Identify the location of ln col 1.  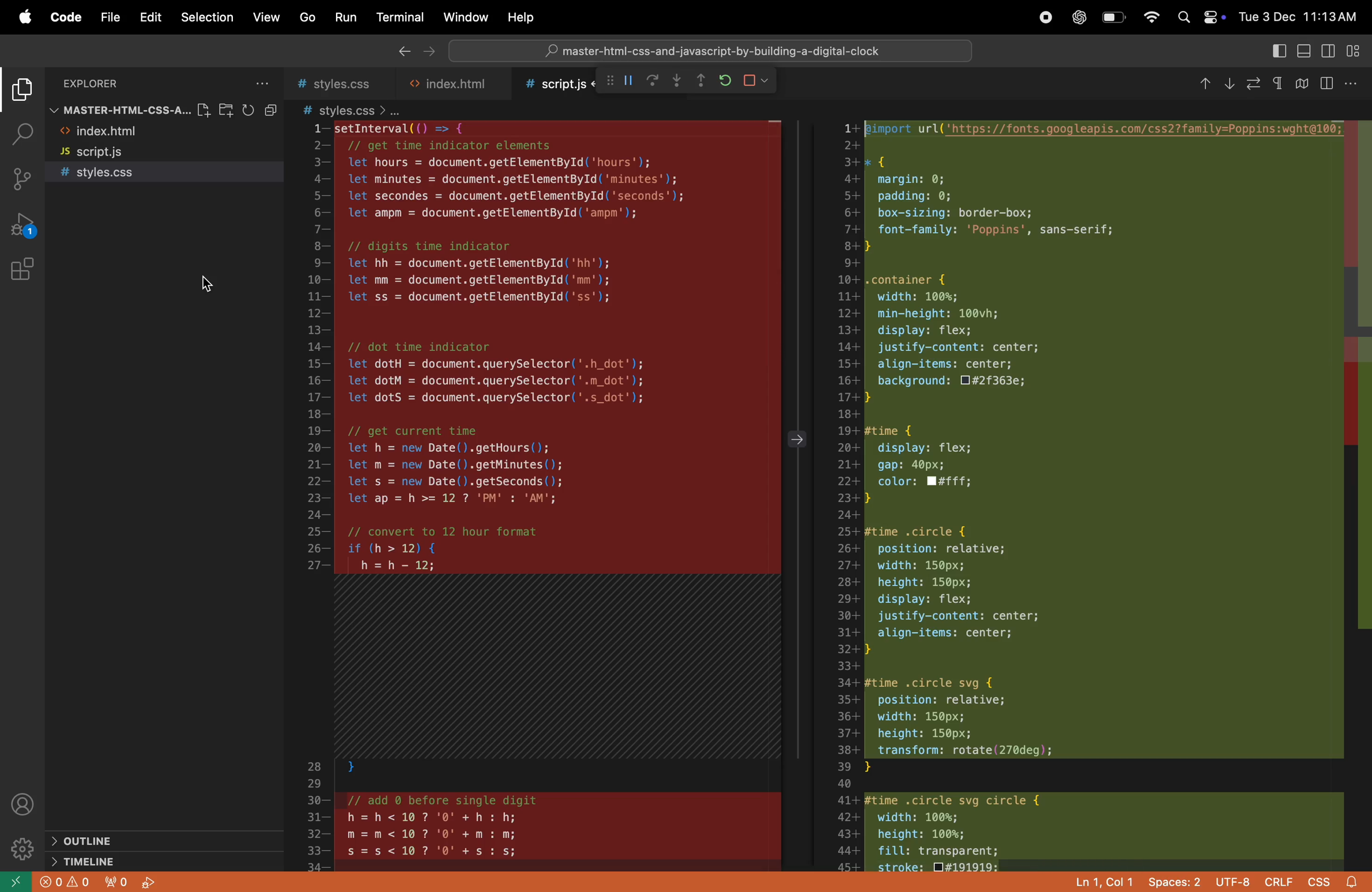
(1103, 882).